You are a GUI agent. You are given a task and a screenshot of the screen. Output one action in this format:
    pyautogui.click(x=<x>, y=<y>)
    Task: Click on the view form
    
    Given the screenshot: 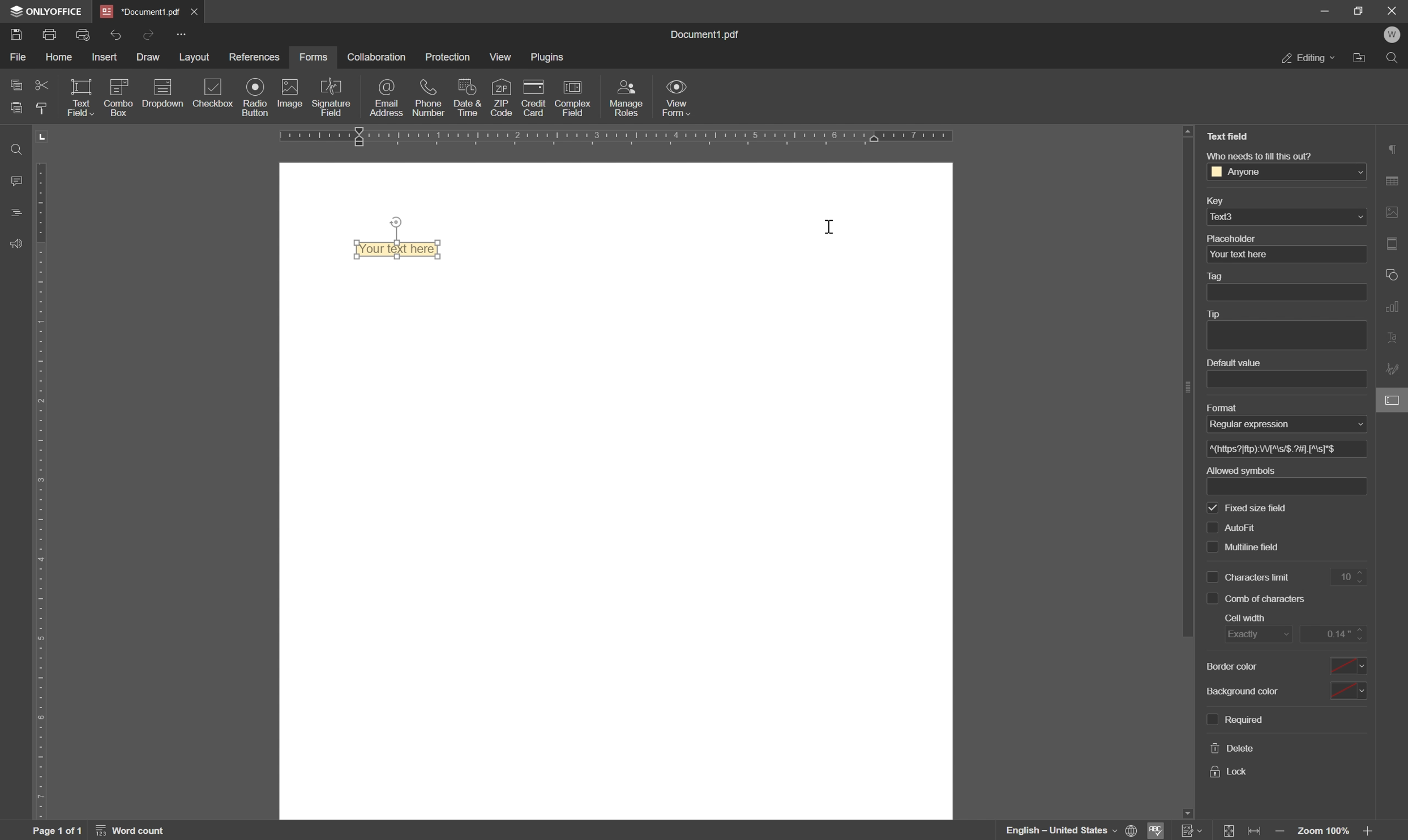 What is the action you would take?
    pyautogui.click(x=678, y=100)
    